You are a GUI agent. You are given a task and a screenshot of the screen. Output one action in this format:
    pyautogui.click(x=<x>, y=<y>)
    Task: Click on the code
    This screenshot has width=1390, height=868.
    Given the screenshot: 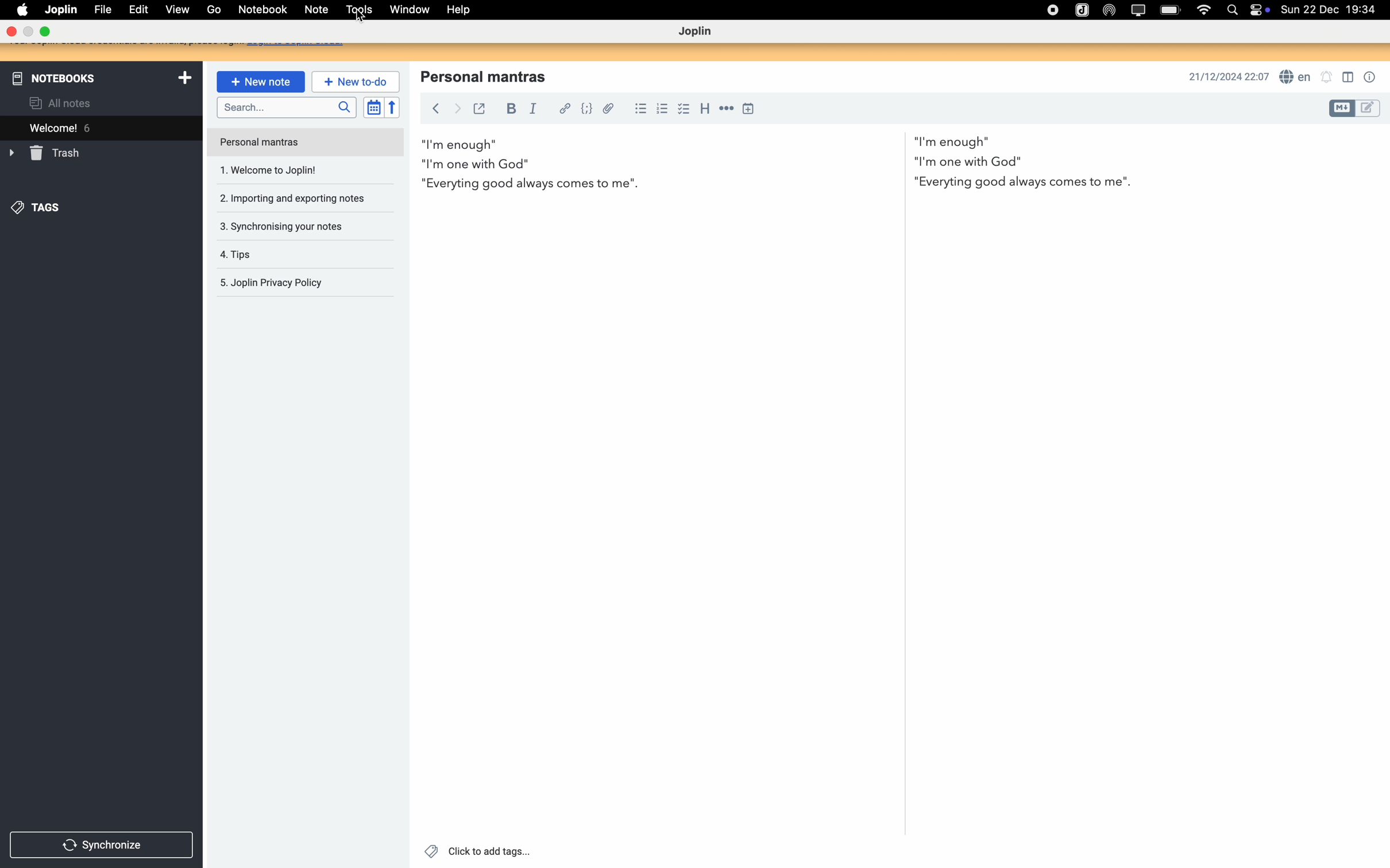 What is the action you would take?
    pyautogui.click(x=587, y=108)
    